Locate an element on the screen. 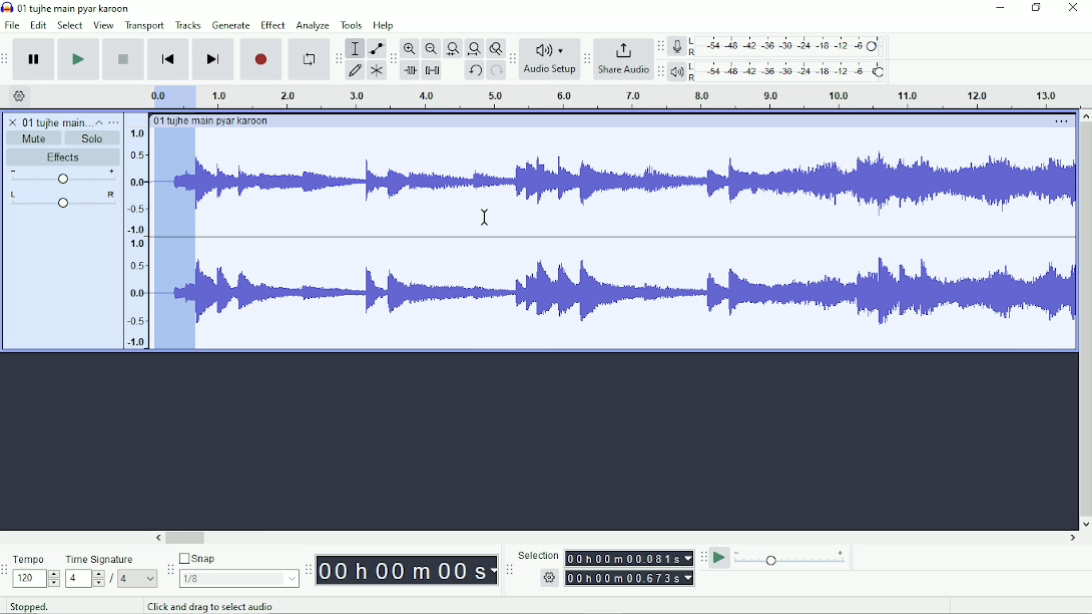 Image resolution: width=1092 pixels, height=614 pixels. Fit project to width is located at coordinates (475, 49).